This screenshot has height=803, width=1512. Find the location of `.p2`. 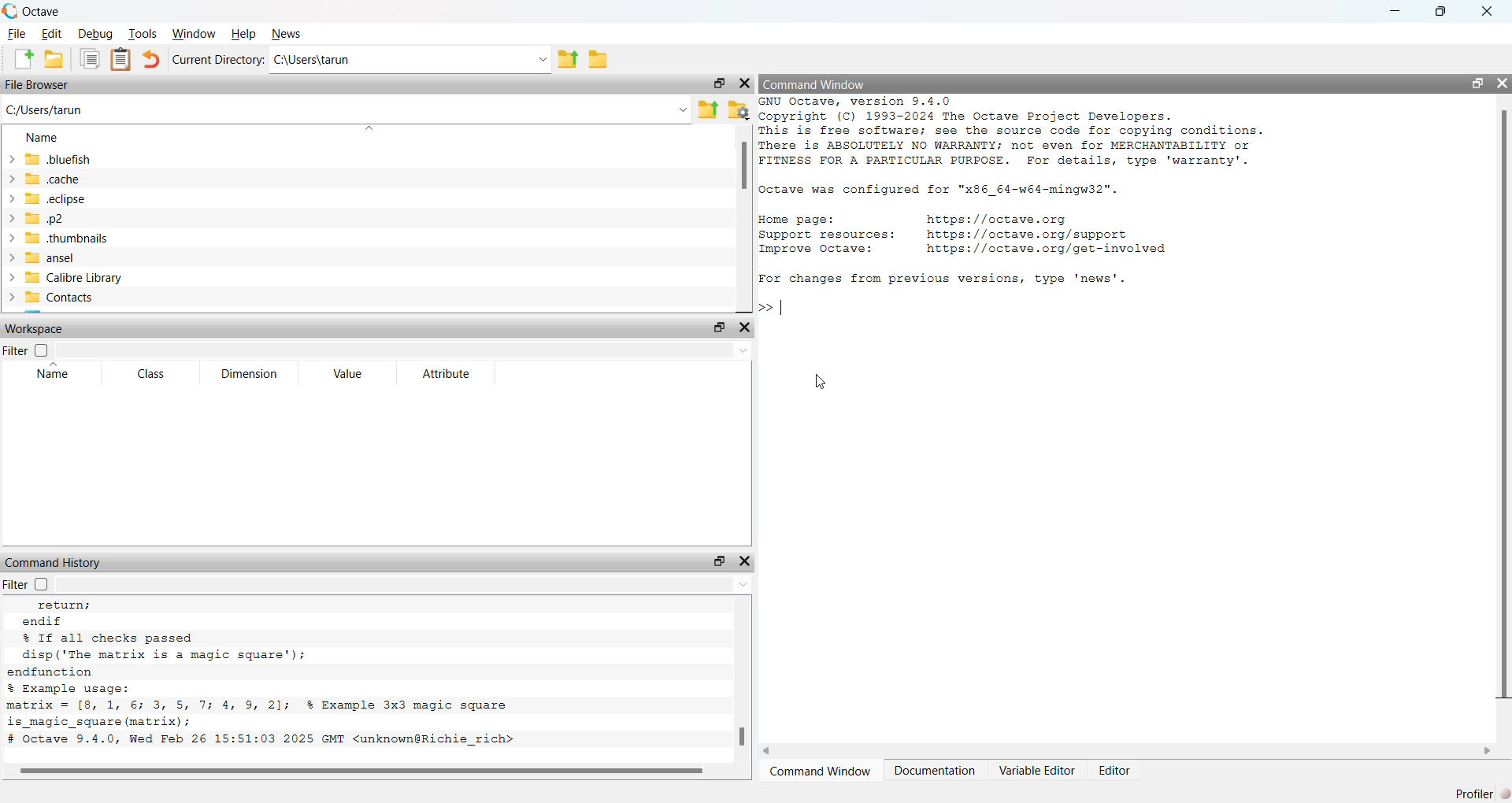

.p2 is located at coordinates (35, 219).